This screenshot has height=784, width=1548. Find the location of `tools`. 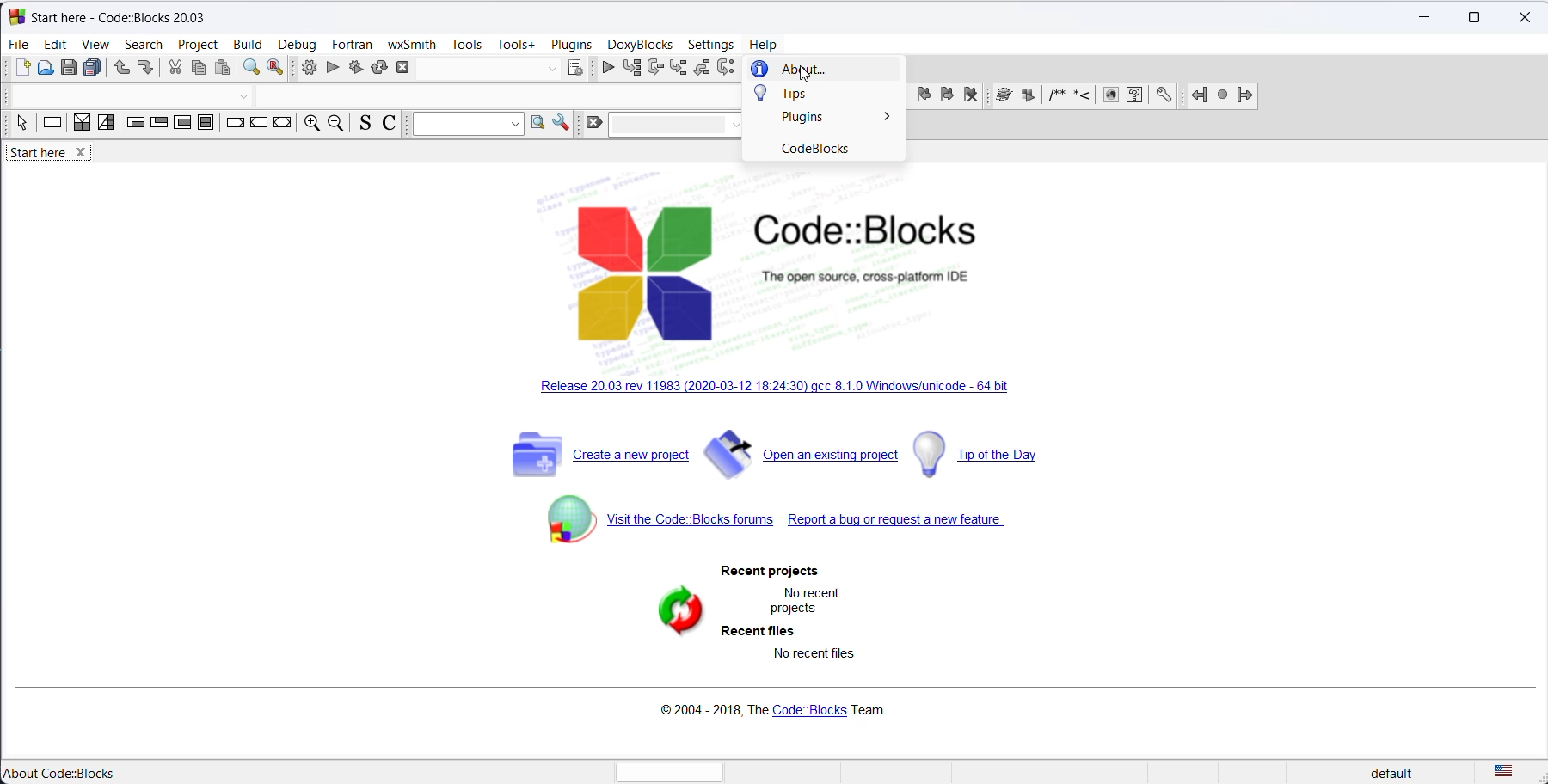

tools is located at coordinates (465, 45).